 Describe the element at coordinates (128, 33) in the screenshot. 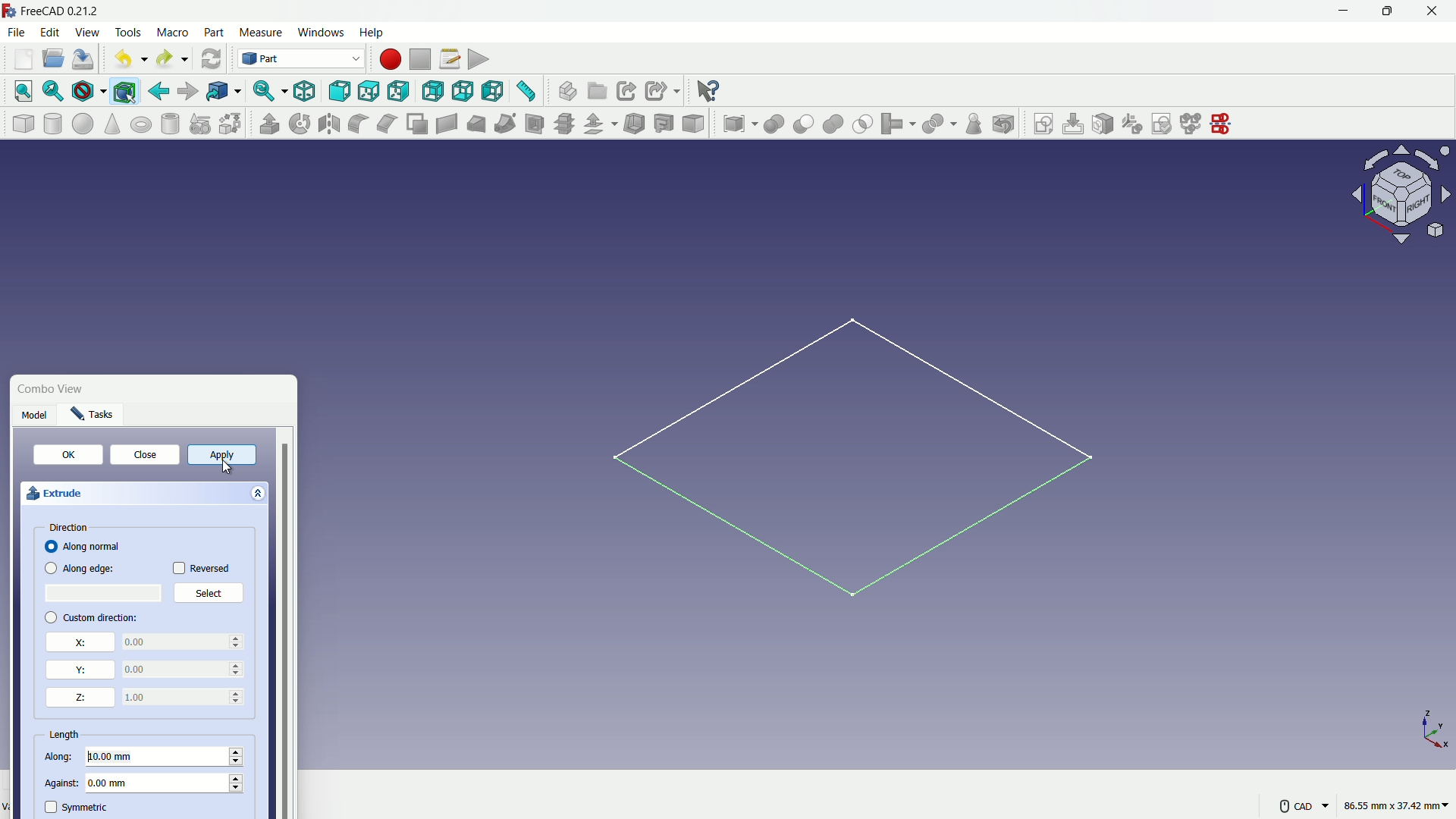

I see `tools` at that location.